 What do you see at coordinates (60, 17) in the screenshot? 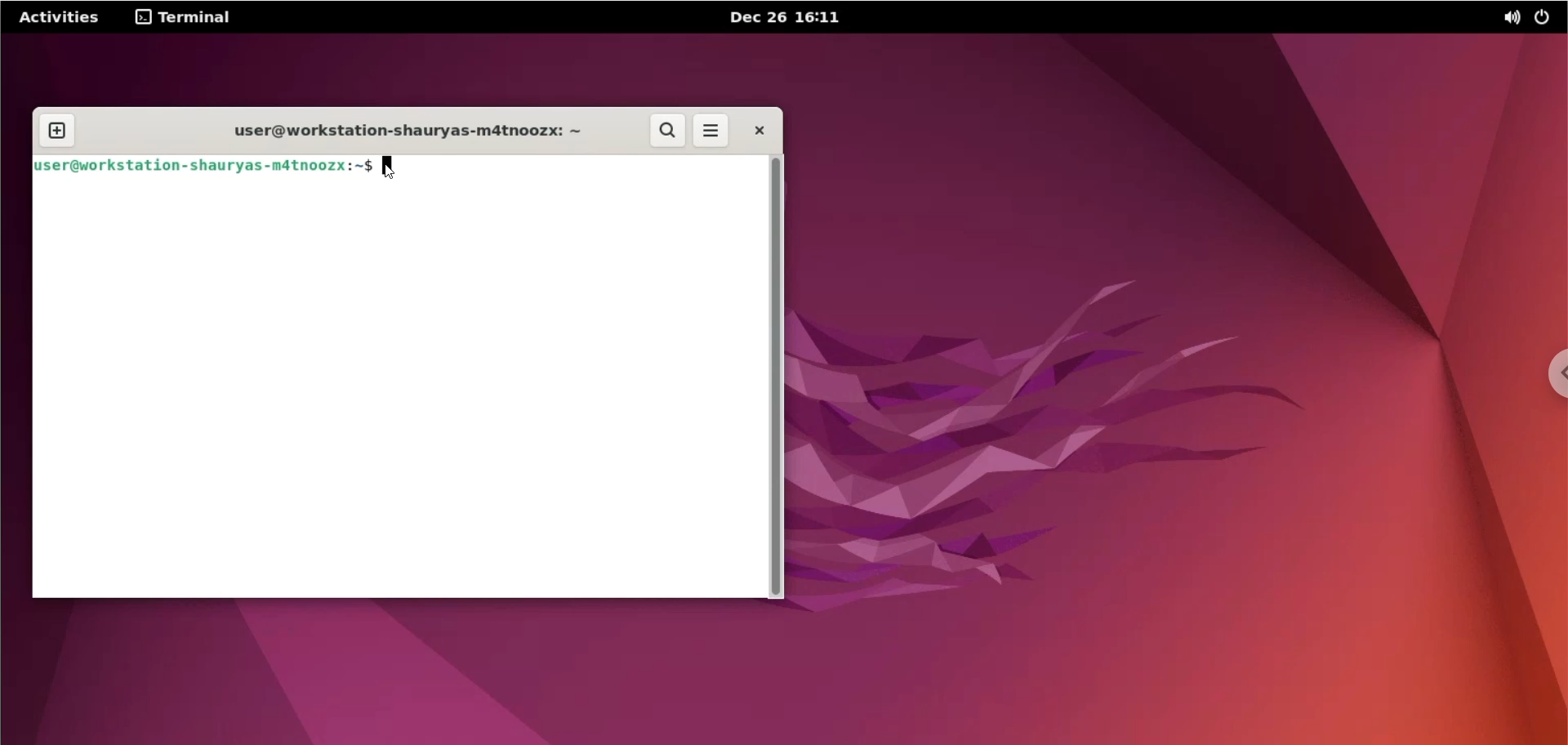
I see `Activities` at bounding box center [60, 17].